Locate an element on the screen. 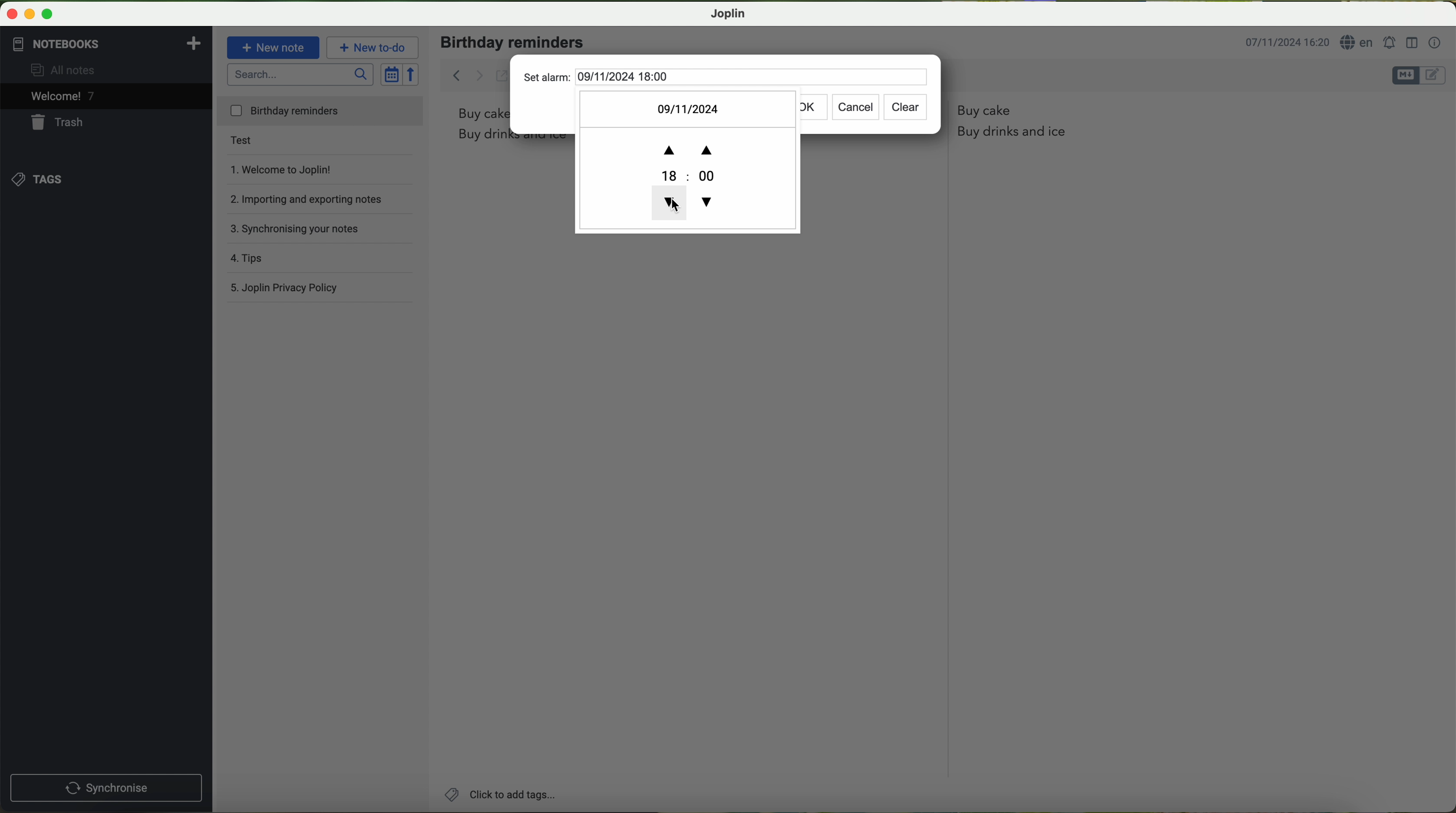 The height and width of the screenshot is (813, 1456). reverse sort order is located at coordinates (412, 73).